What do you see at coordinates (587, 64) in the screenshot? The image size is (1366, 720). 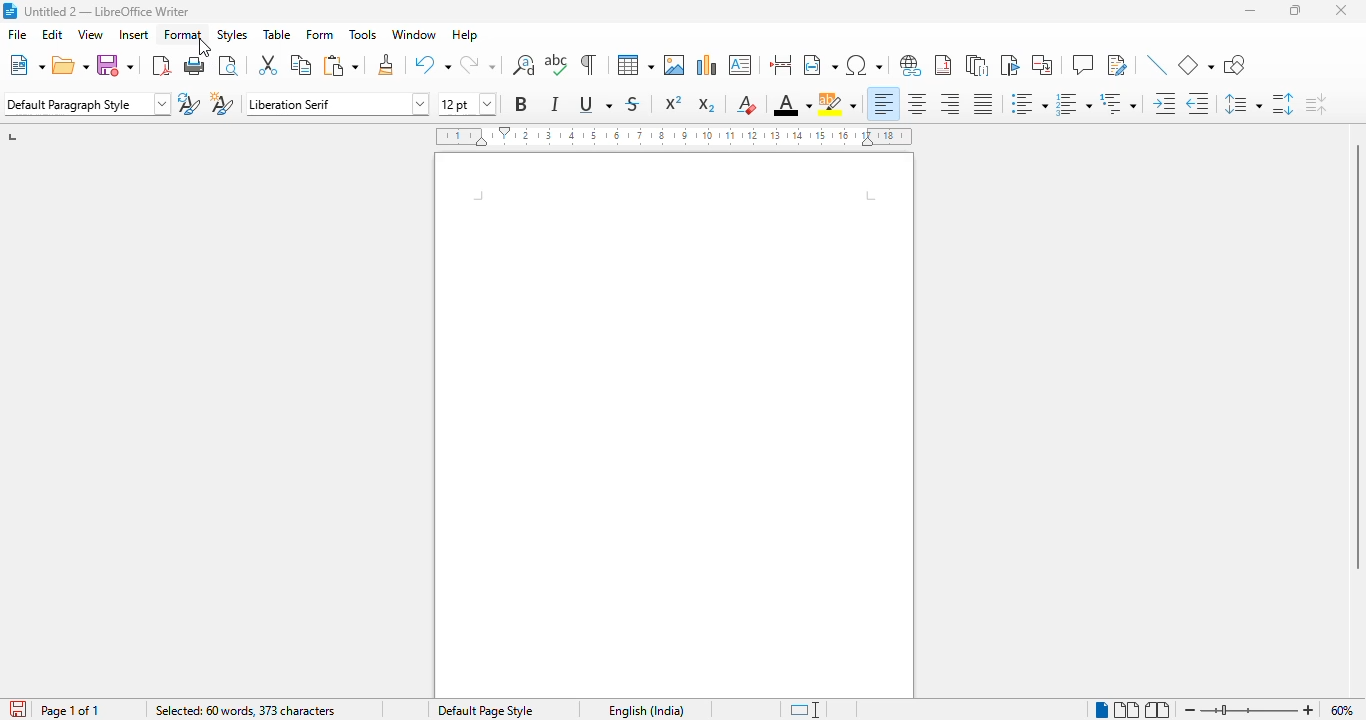 I see `toggle formatting marks` at bounding box center [587, 64].